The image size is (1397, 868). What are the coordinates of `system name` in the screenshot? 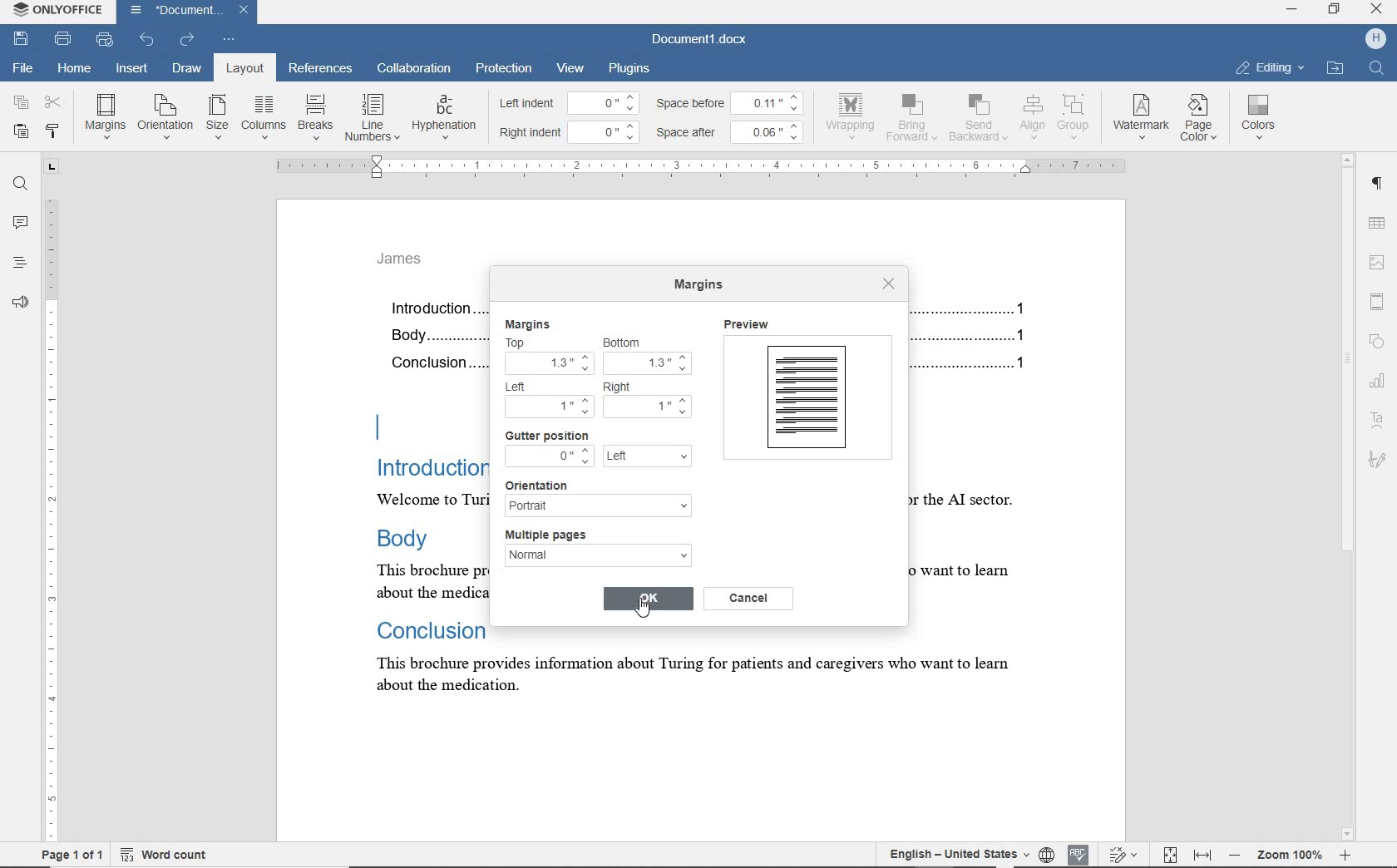 It's located at (60, 12).